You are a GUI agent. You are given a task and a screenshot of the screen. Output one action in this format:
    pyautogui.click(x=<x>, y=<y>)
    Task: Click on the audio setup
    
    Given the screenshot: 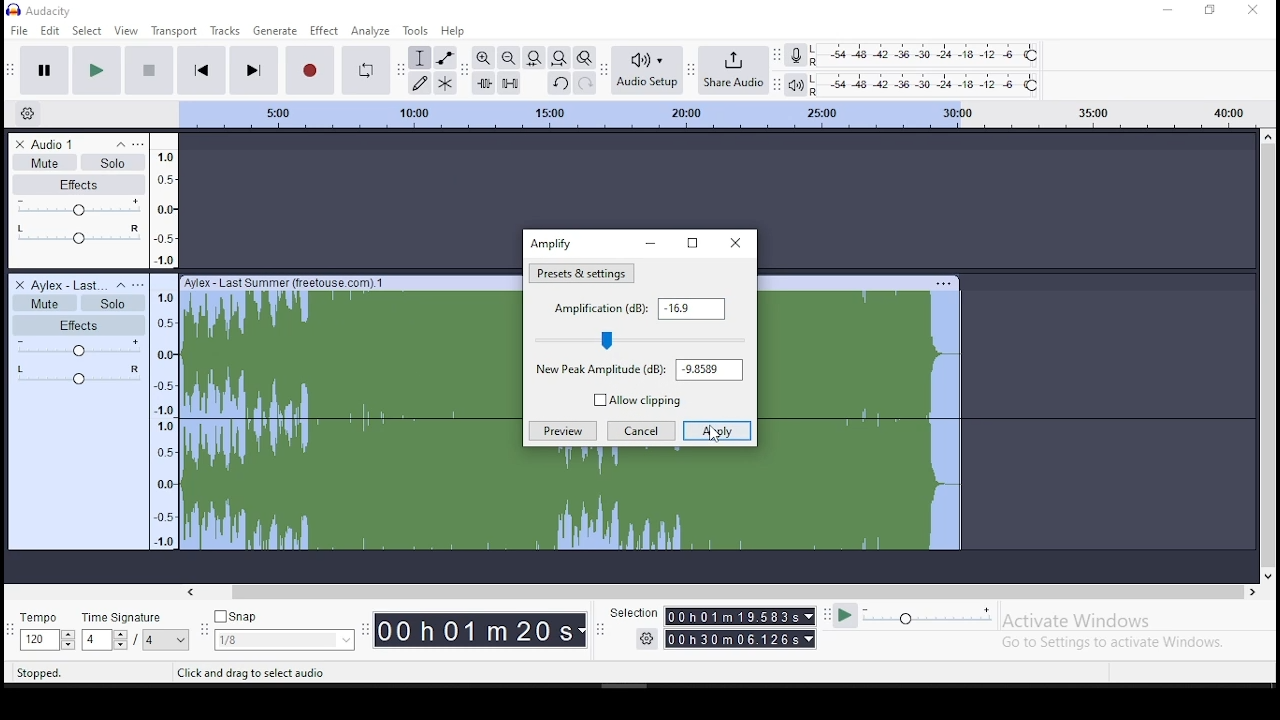 What is the action you would take?
    pyautogui.click(x=650, y=70)
    